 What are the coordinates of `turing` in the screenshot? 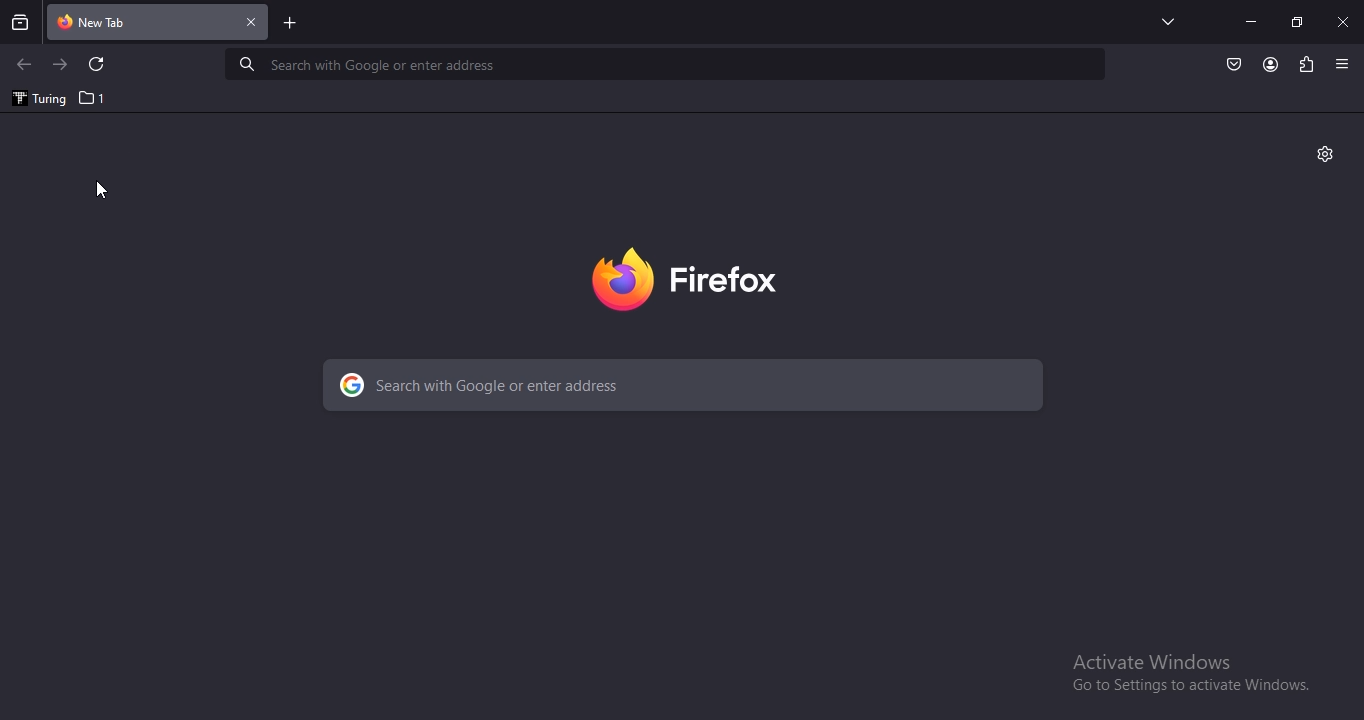 It's located at (37, 99).